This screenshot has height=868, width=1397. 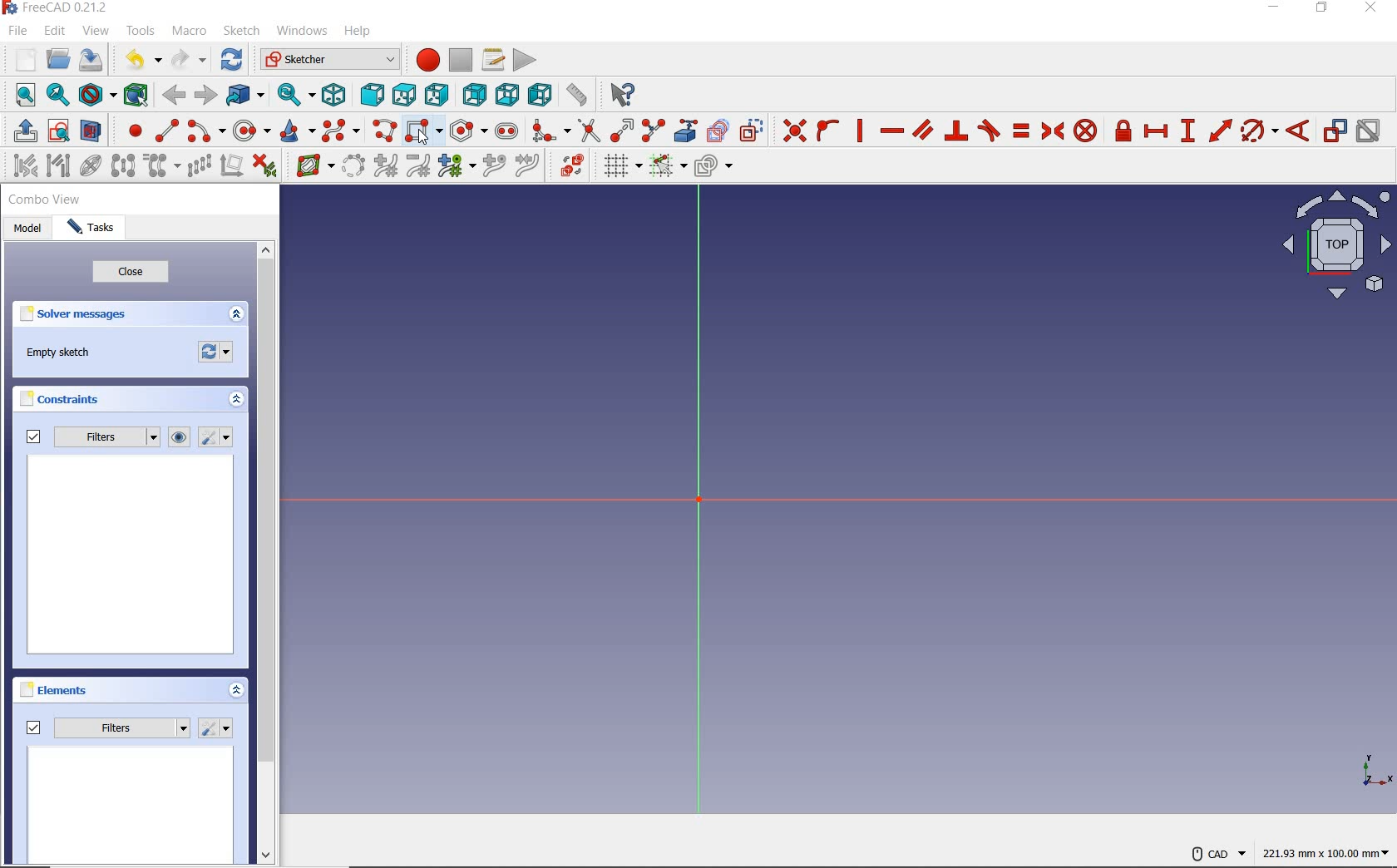 I want to click on decrease b-spline degree, so click(x=420, y=167).